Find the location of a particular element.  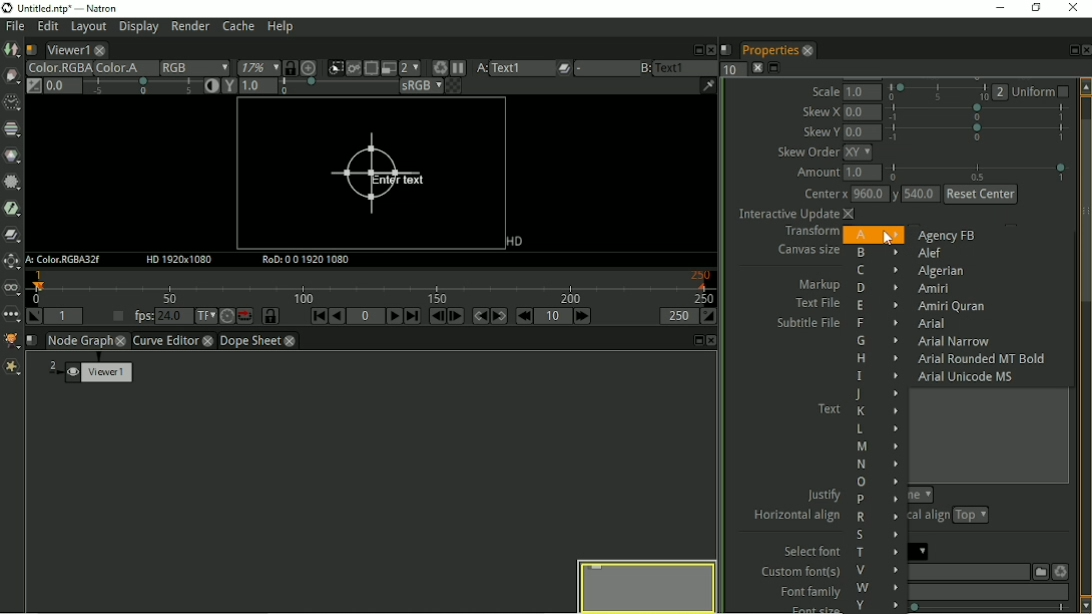

R is located at coordinates (878, 517).